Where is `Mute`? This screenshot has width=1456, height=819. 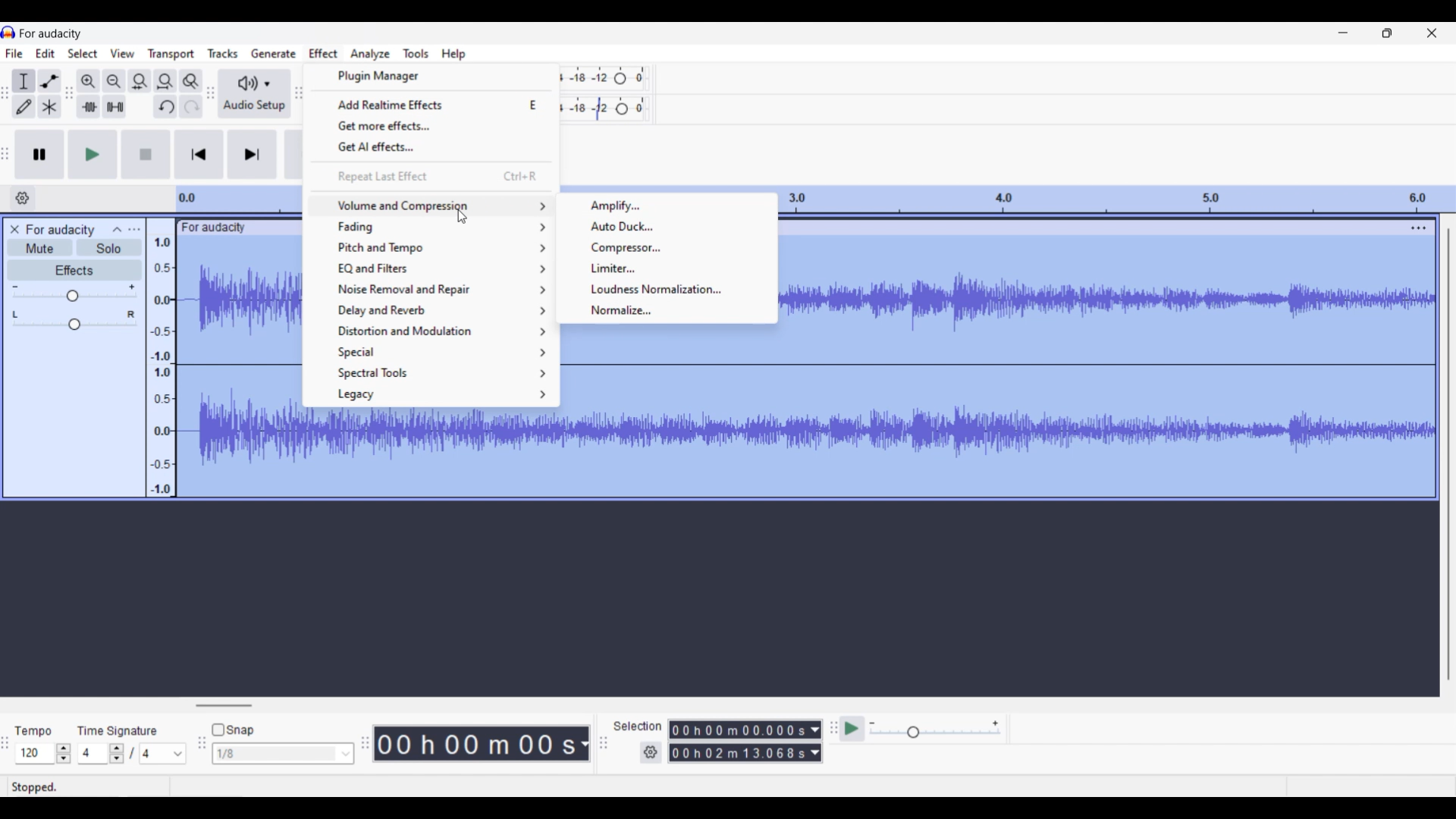 Mute is located at coordinates (39, 247).